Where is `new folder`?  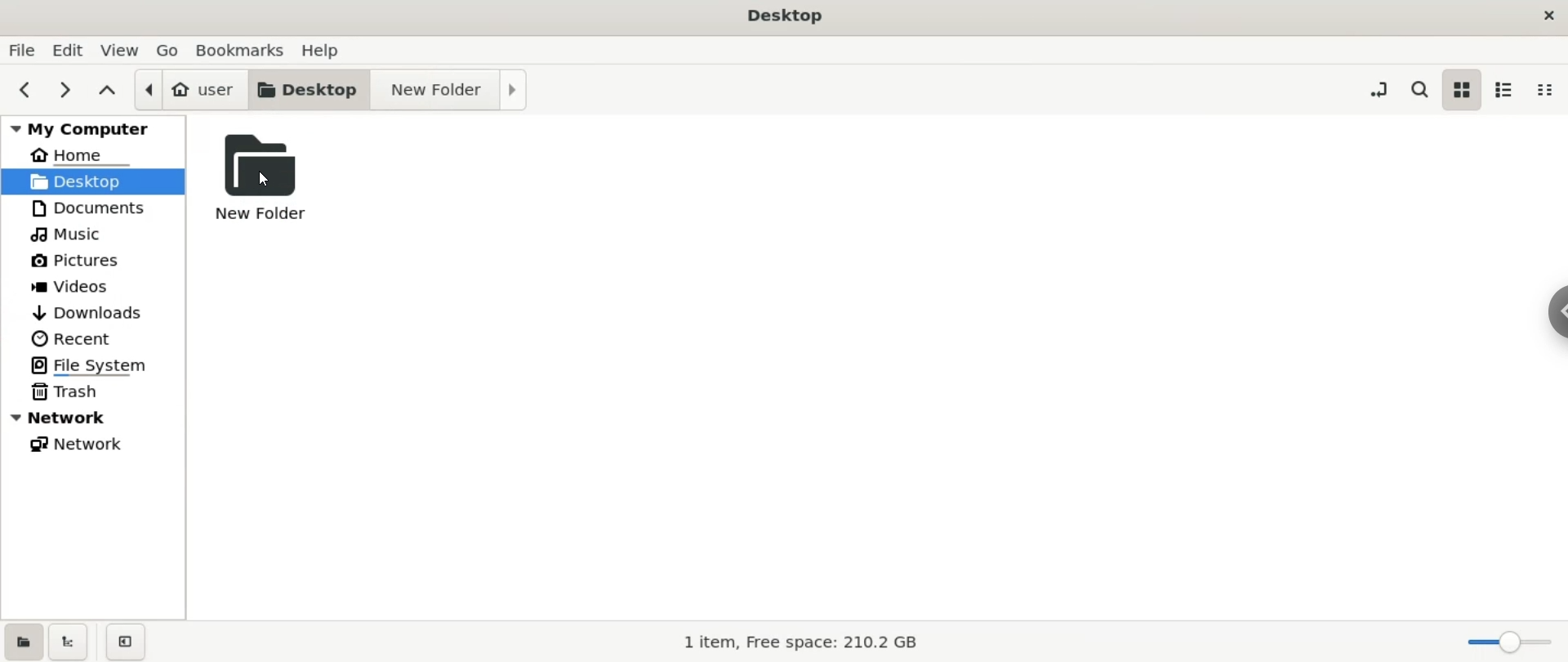
new folder is located at coordinates (277, 178).